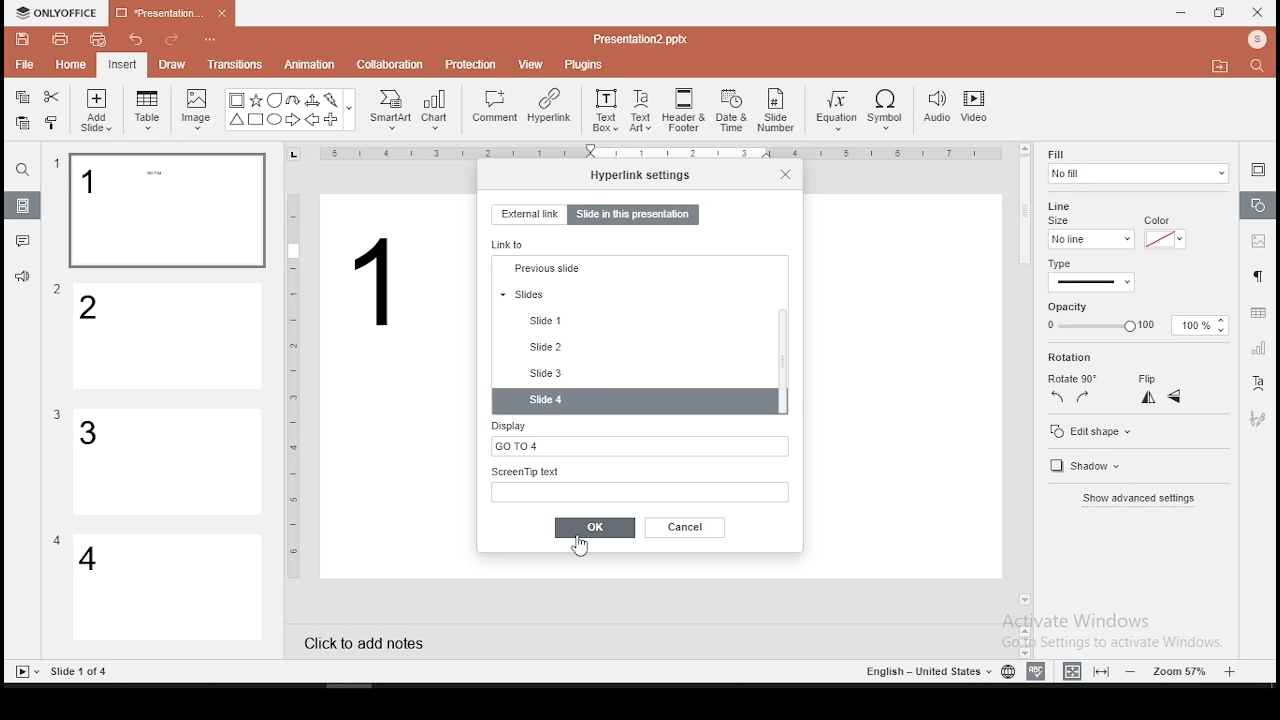 The width and height of the screenshot is (1280, 720). What do you see at coordinates (1082, 468) in the screenshot?
I see `shadow` at bounding box center [1082, 468].